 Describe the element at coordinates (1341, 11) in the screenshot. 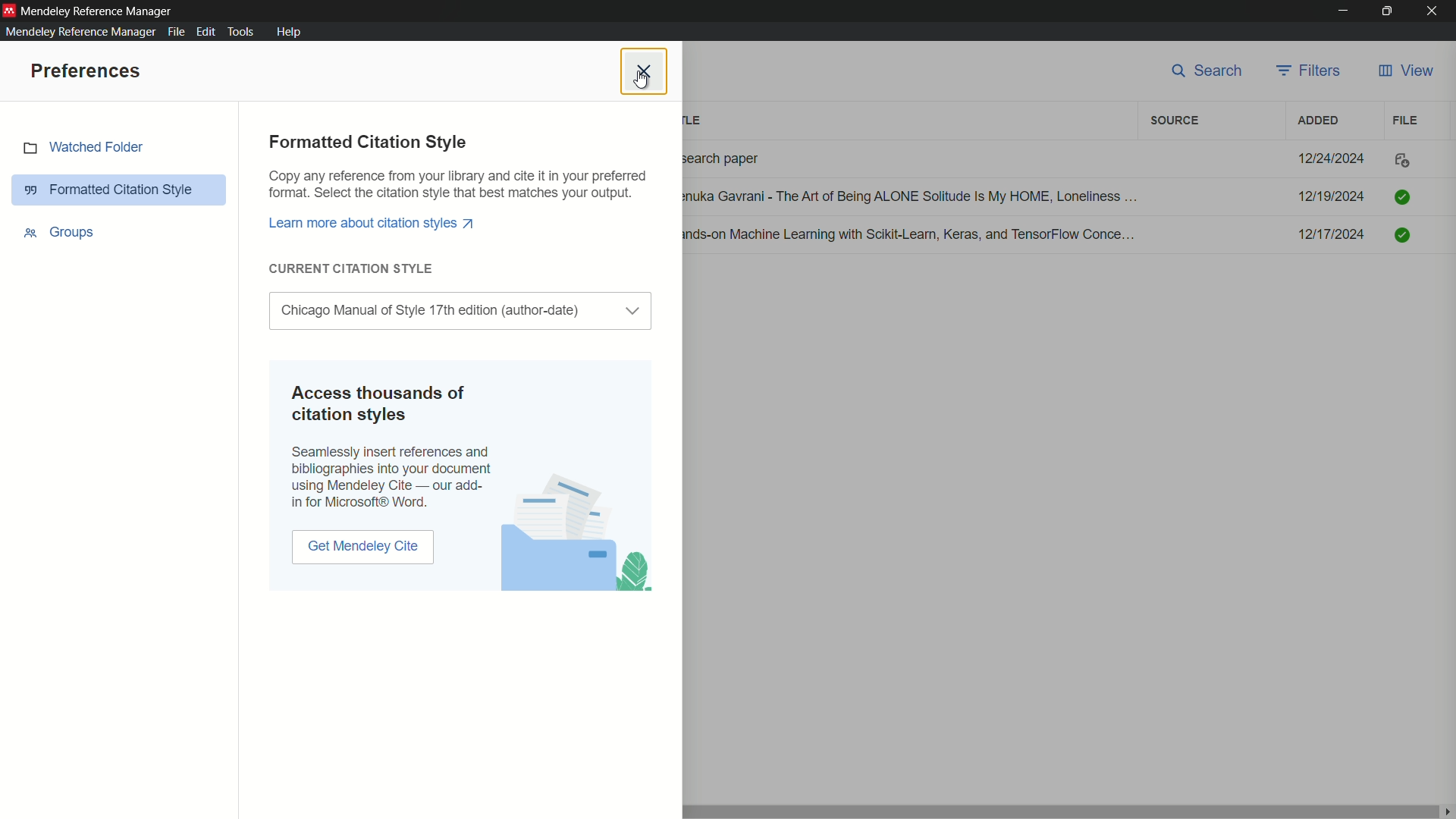

I see `minimize` at that location.